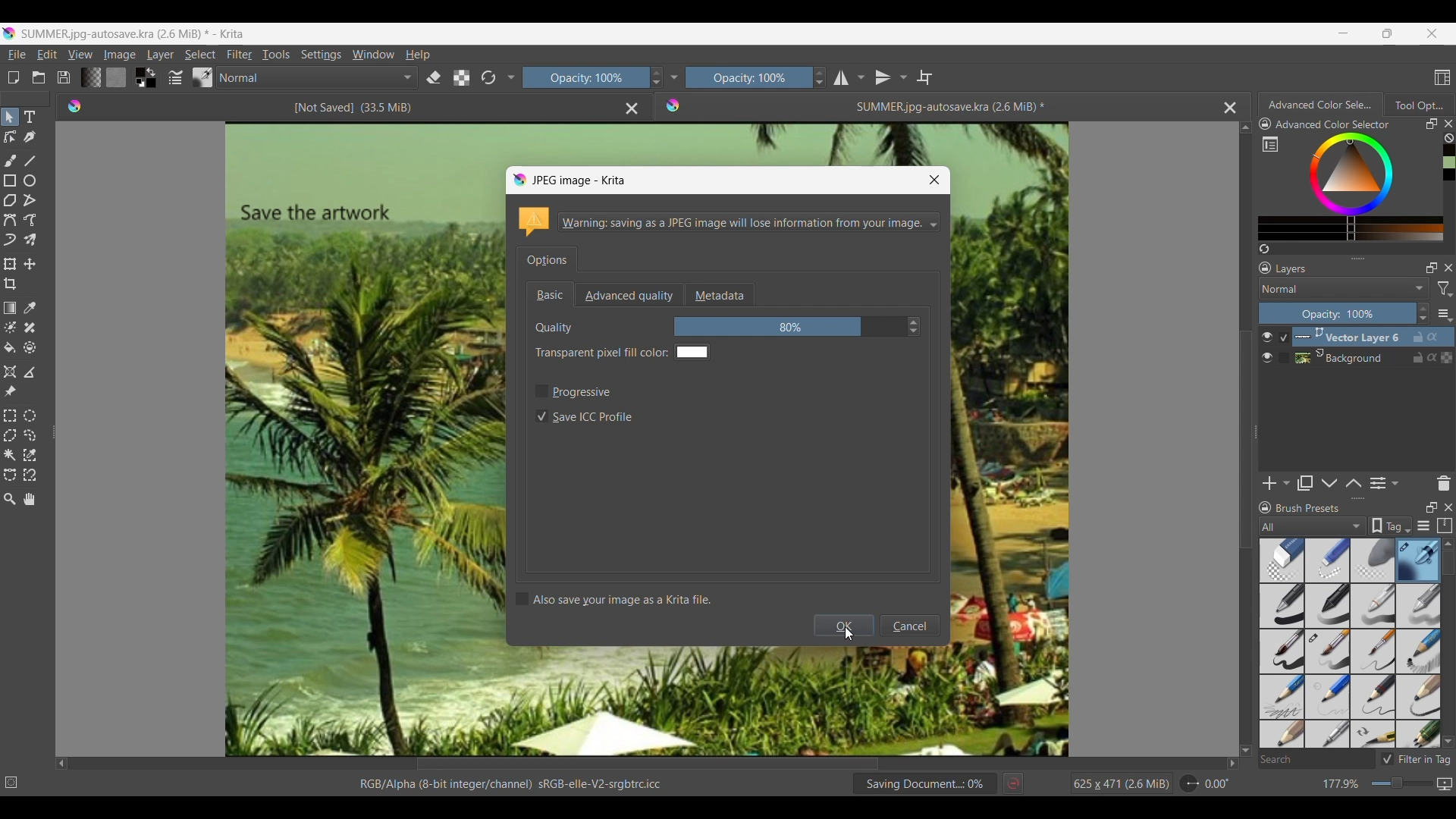 The height and width of the screenshot is (819, 1456). I want to click on Freehand path tool, so click(30, 220).